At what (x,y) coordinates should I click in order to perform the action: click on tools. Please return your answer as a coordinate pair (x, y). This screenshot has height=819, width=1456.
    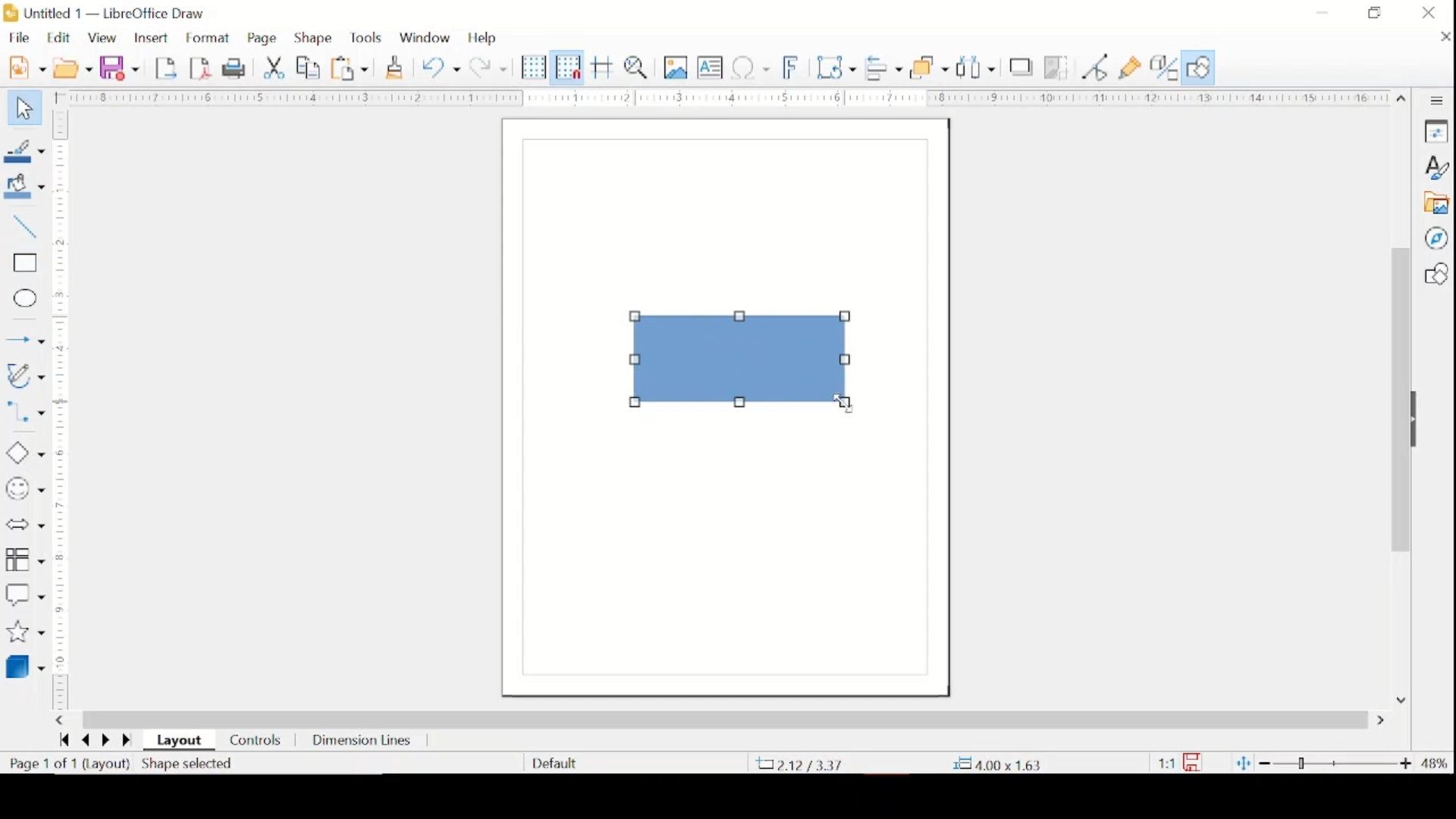
    Looking at the image, I should click on (366, 38).